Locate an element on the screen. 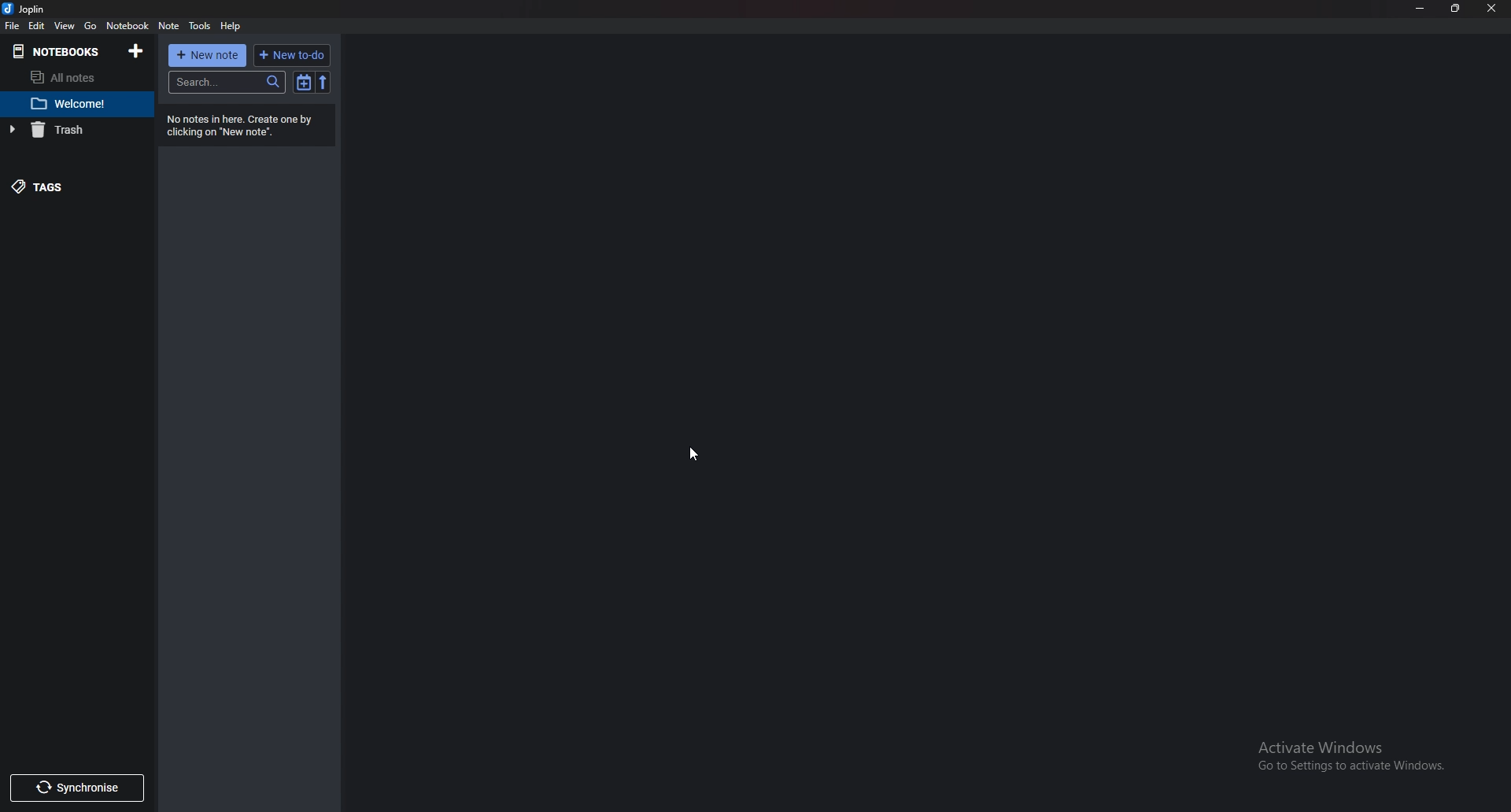 This screenshot has height=812, width=1511. note is located at coordinates (168, 27).